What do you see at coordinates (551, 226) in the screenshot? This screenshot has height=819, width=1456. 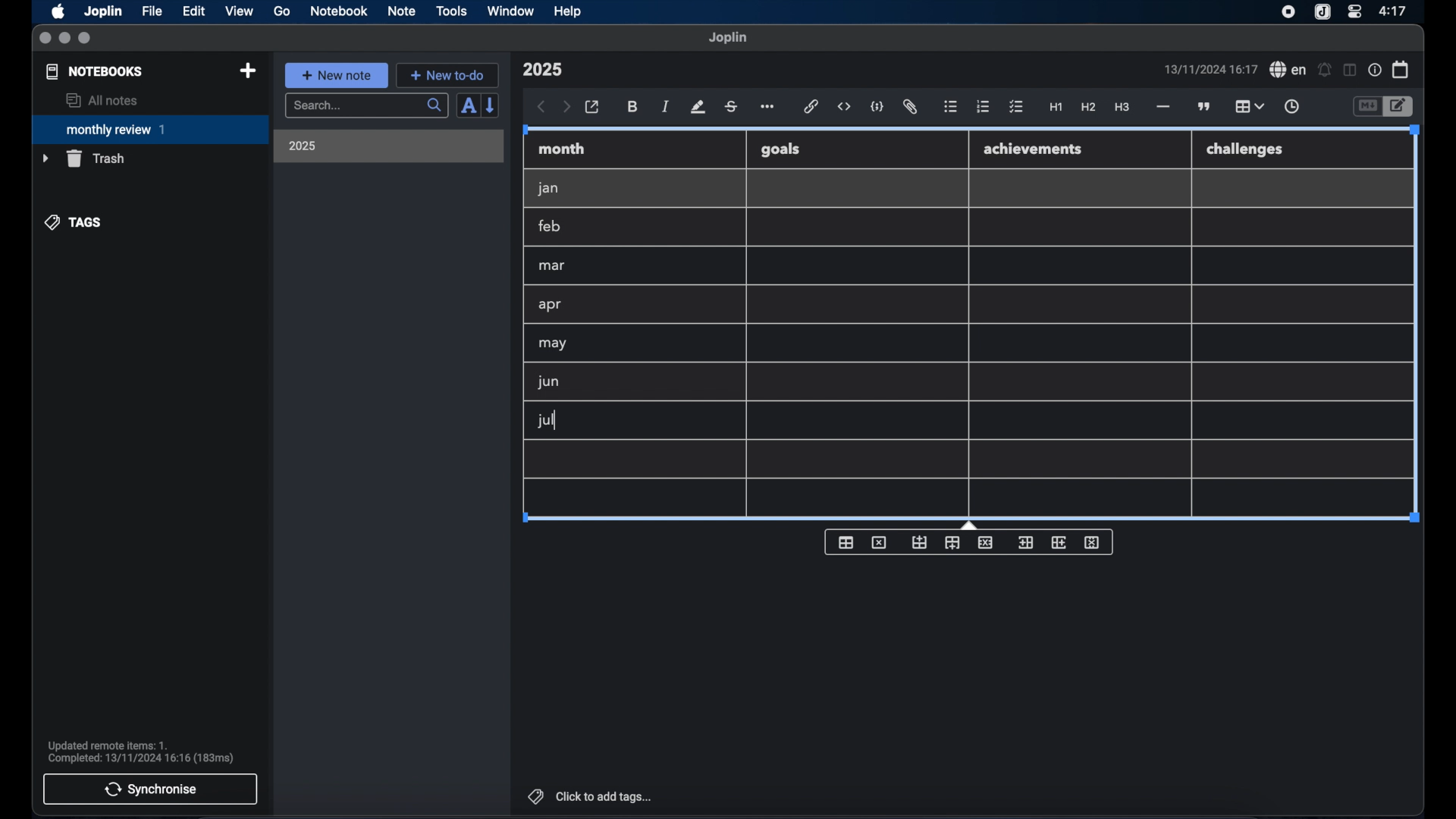 I see `feb` at bounding box center [551, 226].